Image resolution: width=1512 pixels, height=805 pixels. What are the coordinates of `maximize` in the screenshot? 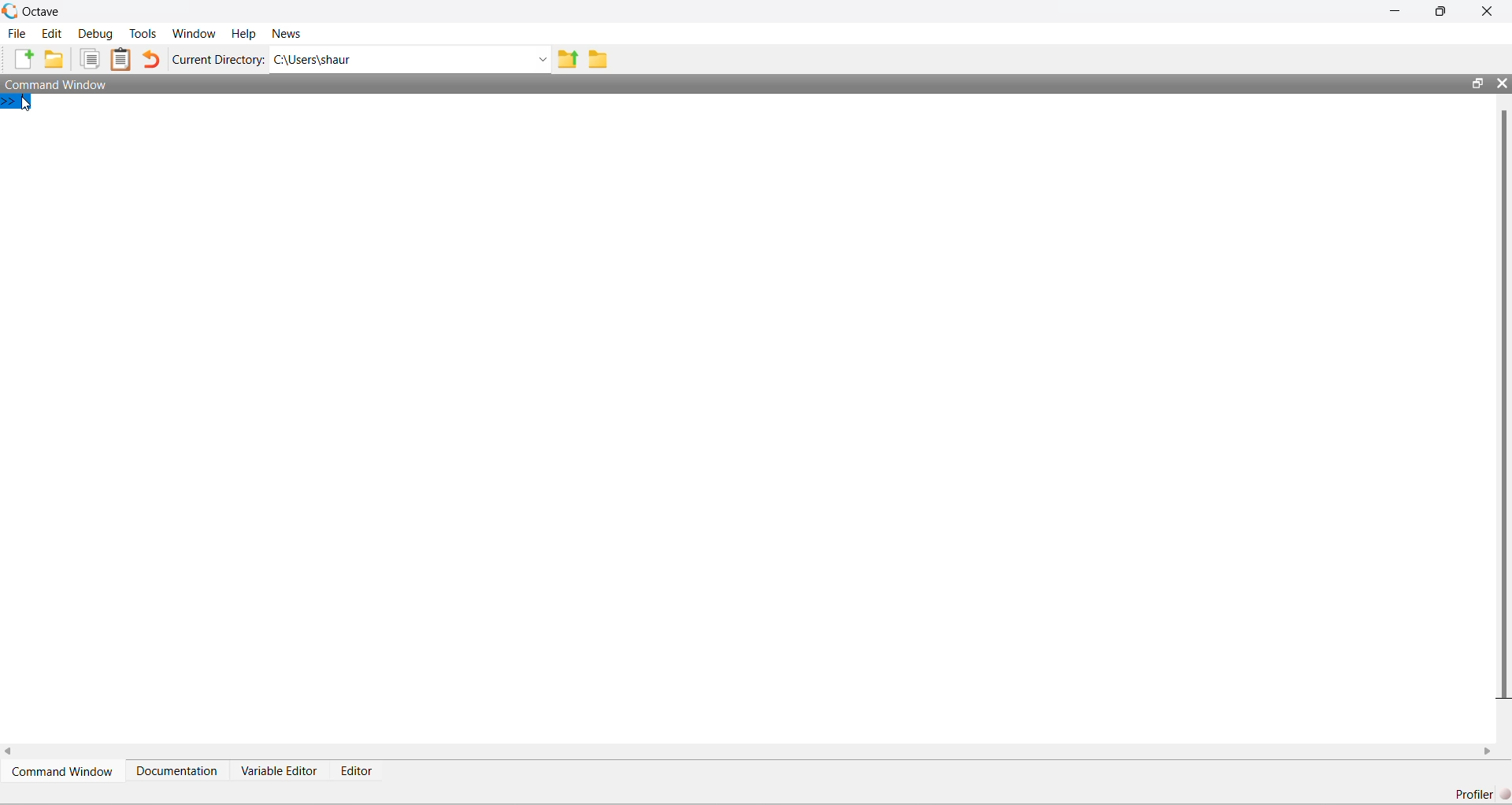 It's located at (1440, 11).